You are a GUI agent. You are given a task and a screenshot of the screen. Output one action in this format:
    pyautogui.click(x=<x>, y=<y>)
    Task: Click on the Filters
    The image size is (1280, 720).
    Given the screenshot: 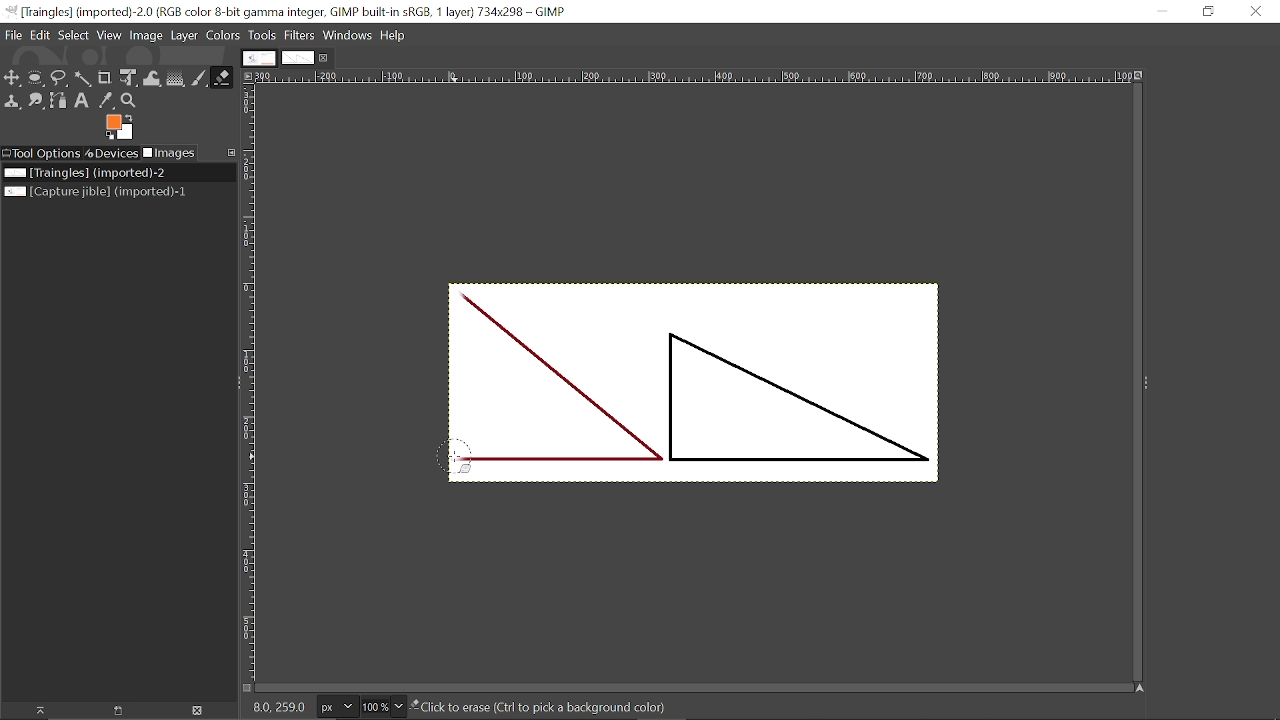 What is the action you would take?
    pyautogui.click(x=300, y=36)
    